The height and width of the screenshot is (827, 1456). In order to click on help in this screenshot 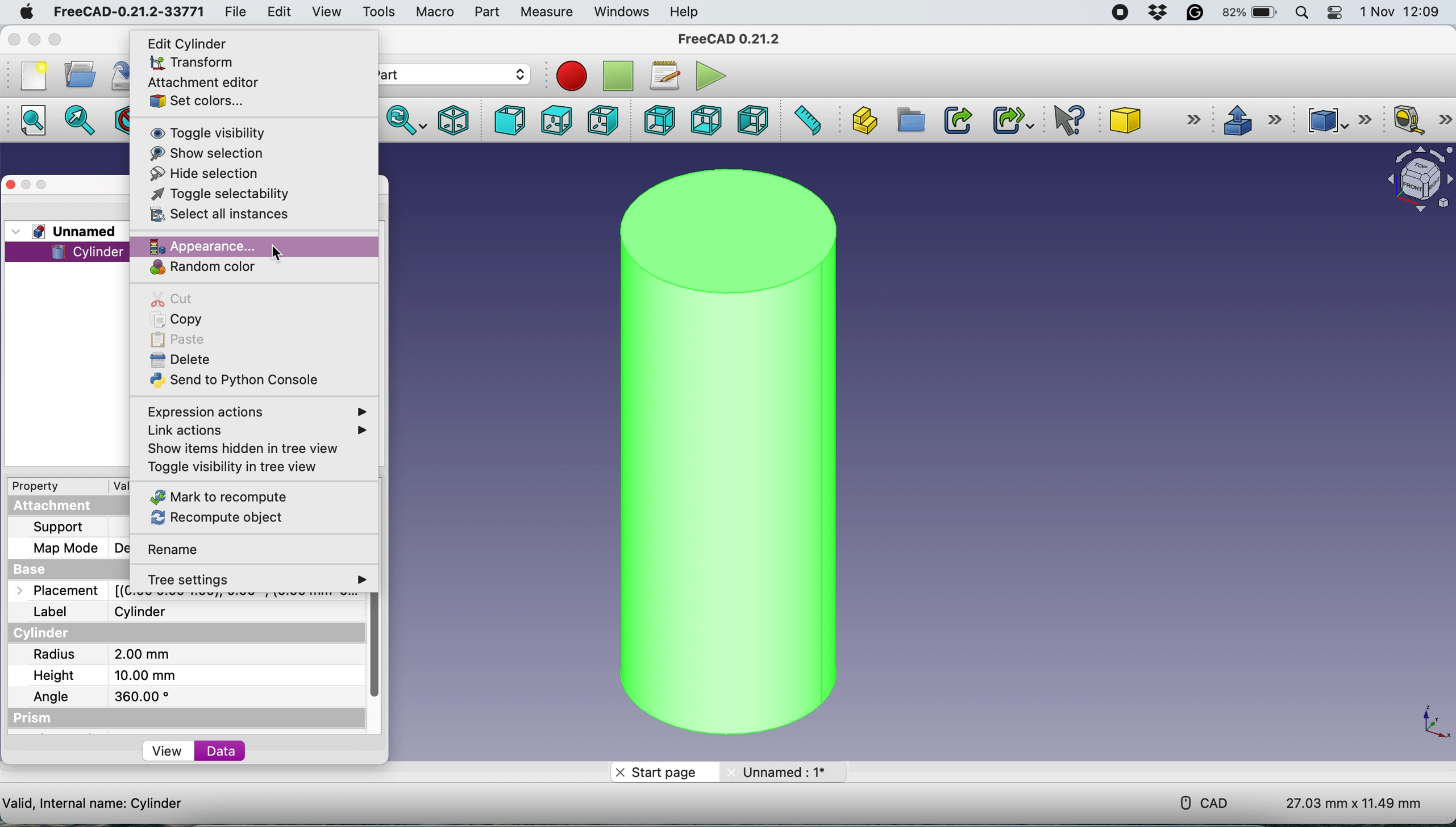, I will do `click(687, 12)`.